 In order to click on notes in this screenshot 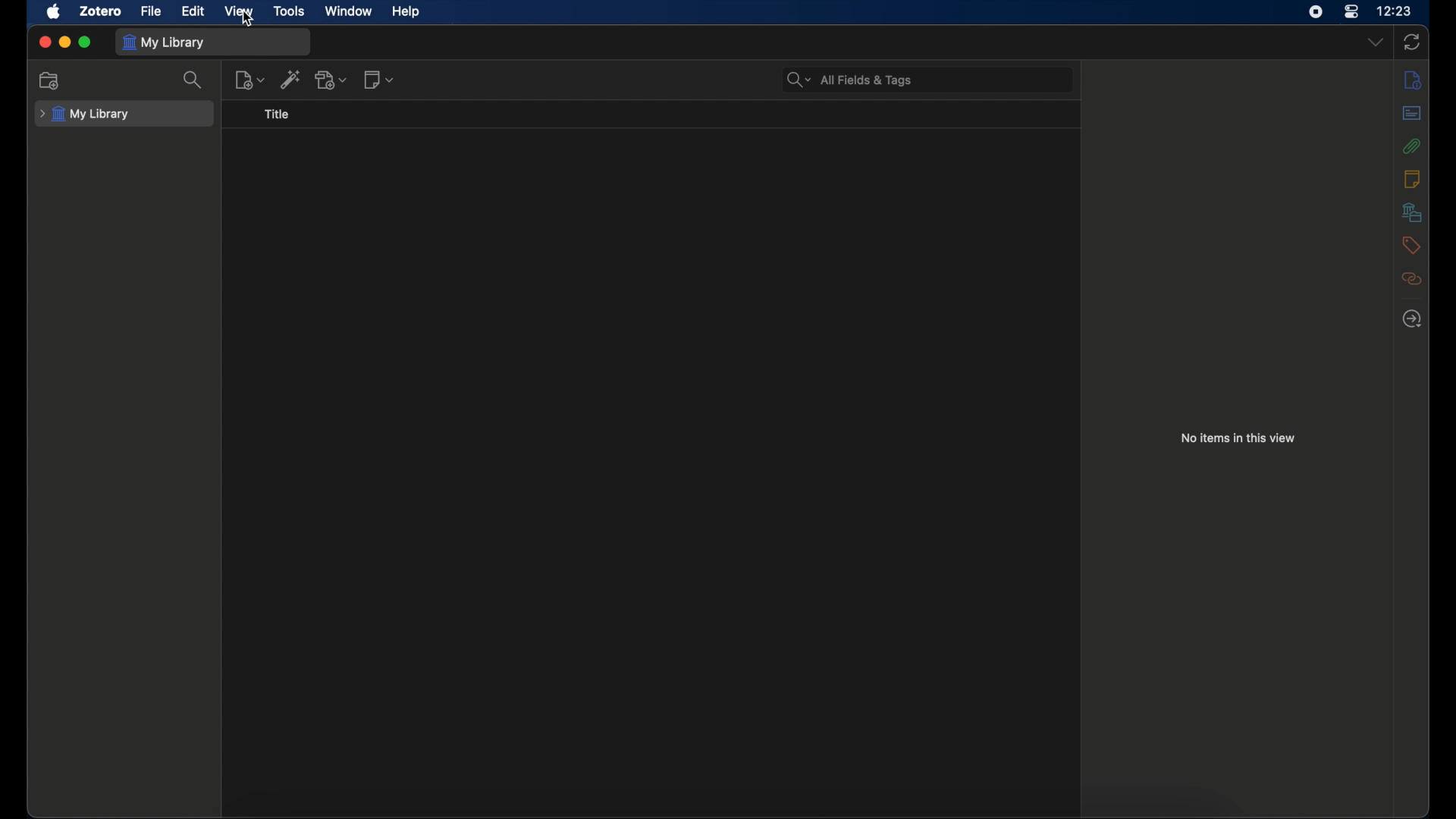, I will do `click(1412, 179)`.